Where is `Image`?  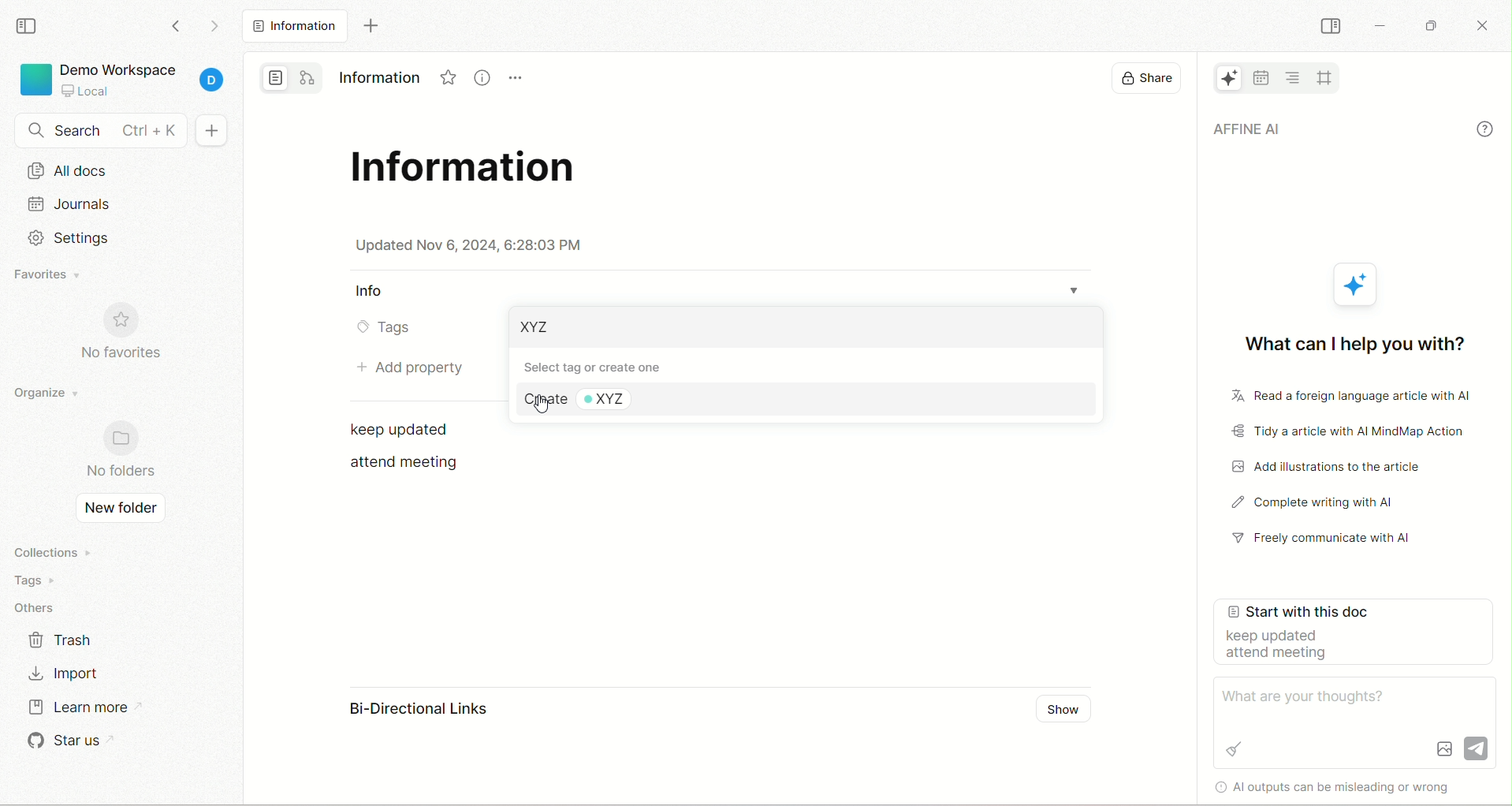 Image is located at coordinates (1443, 748).